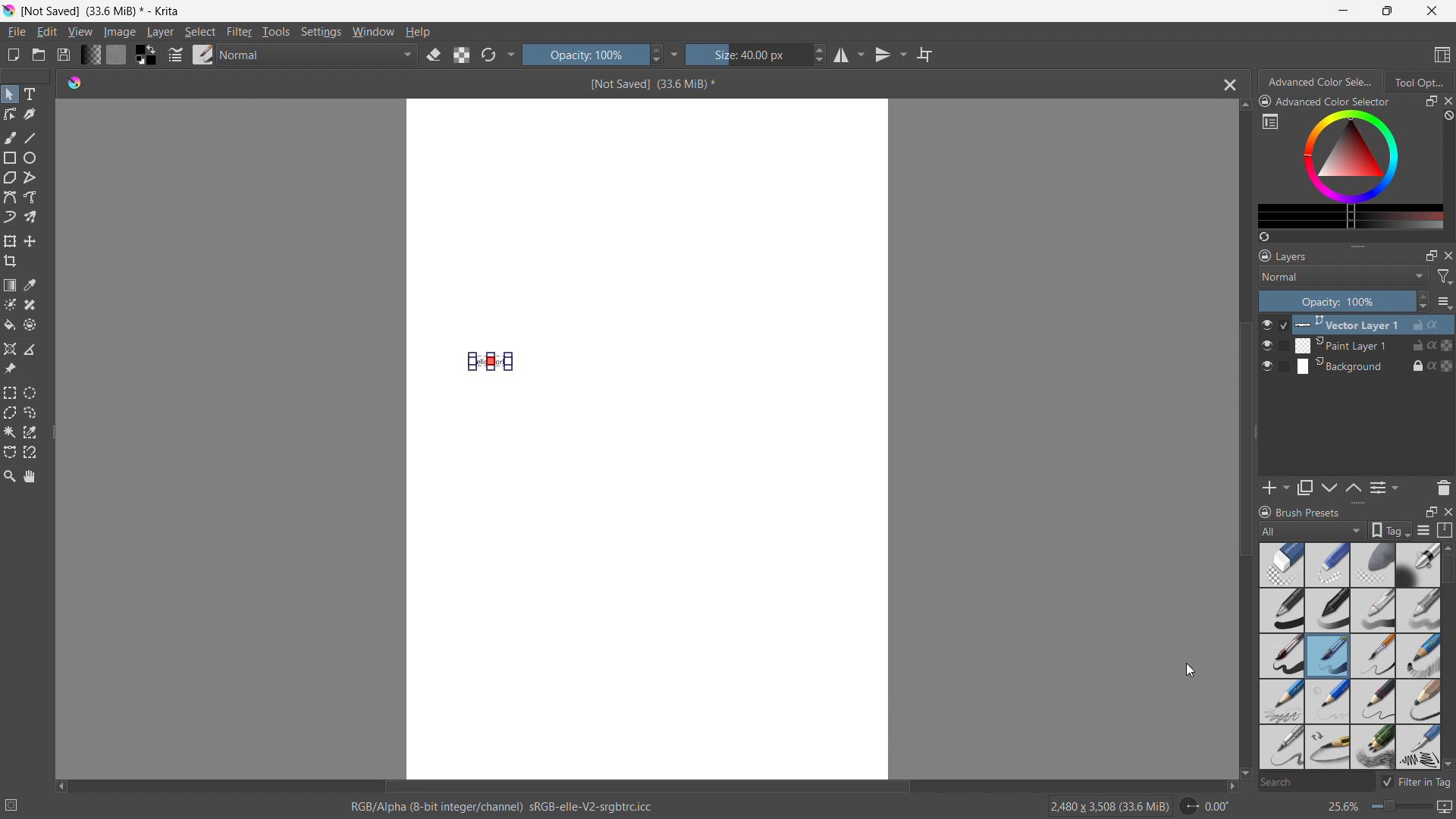  Describe the element at coordinates (1372, 565) in the screenshot. I see `blur` at that location.